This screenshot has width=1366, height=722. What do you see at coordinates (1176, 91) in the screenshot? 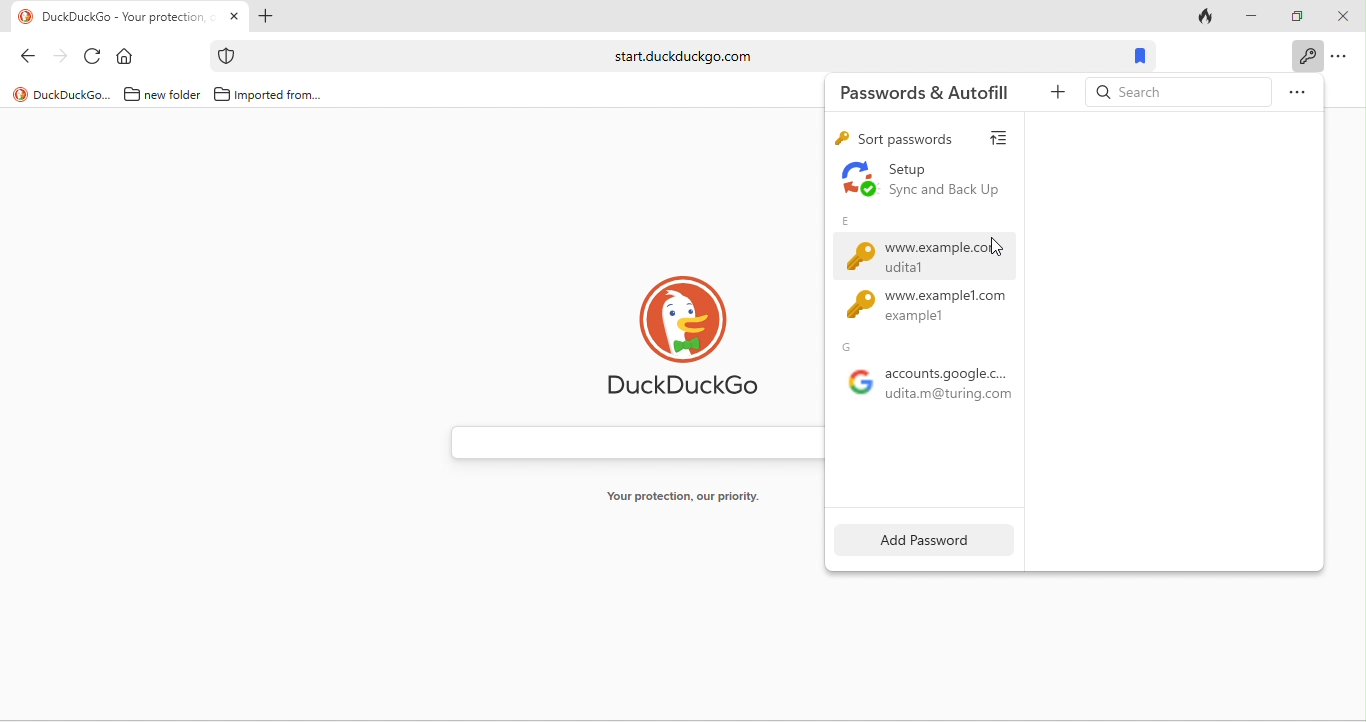
I see `search` at bounding box center [1176, 91].